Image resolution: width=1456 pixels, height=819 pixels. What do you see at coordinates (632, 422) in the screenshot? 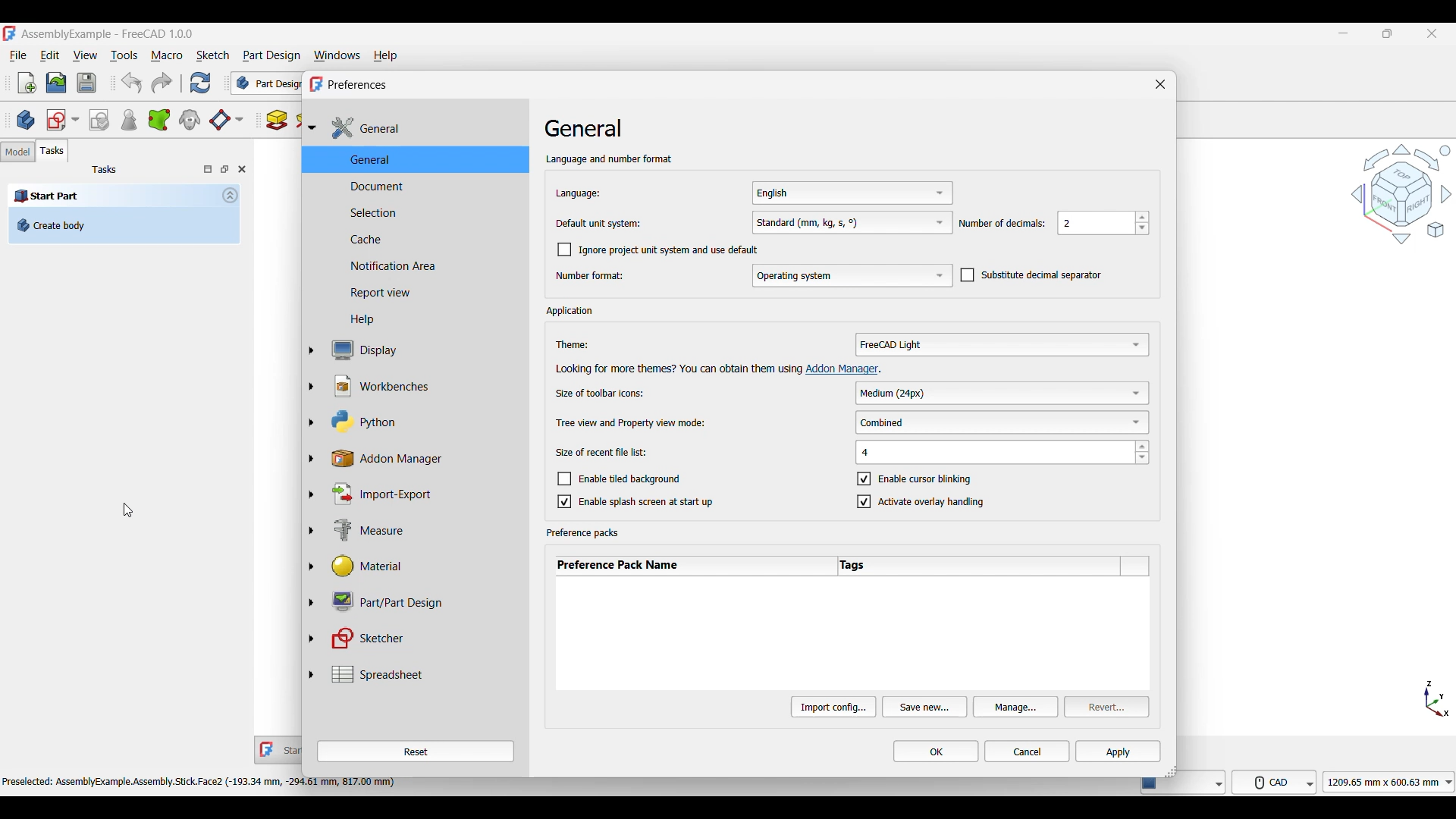
I see `Tree view and Property view mode:` at bounding box center [632, 422].